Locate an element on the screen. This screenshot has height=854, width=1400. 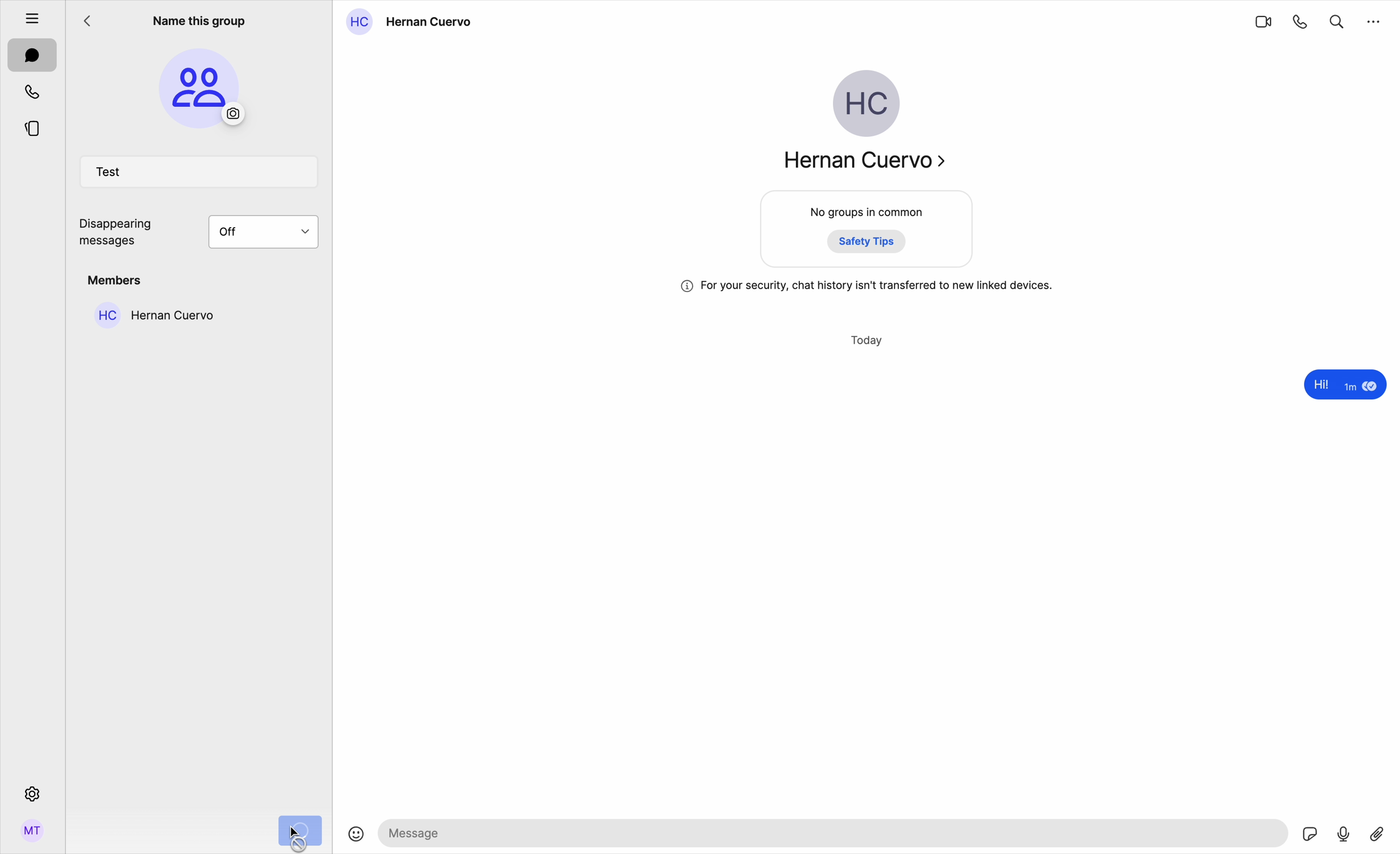
emoji is located at coordinates (356, 835).